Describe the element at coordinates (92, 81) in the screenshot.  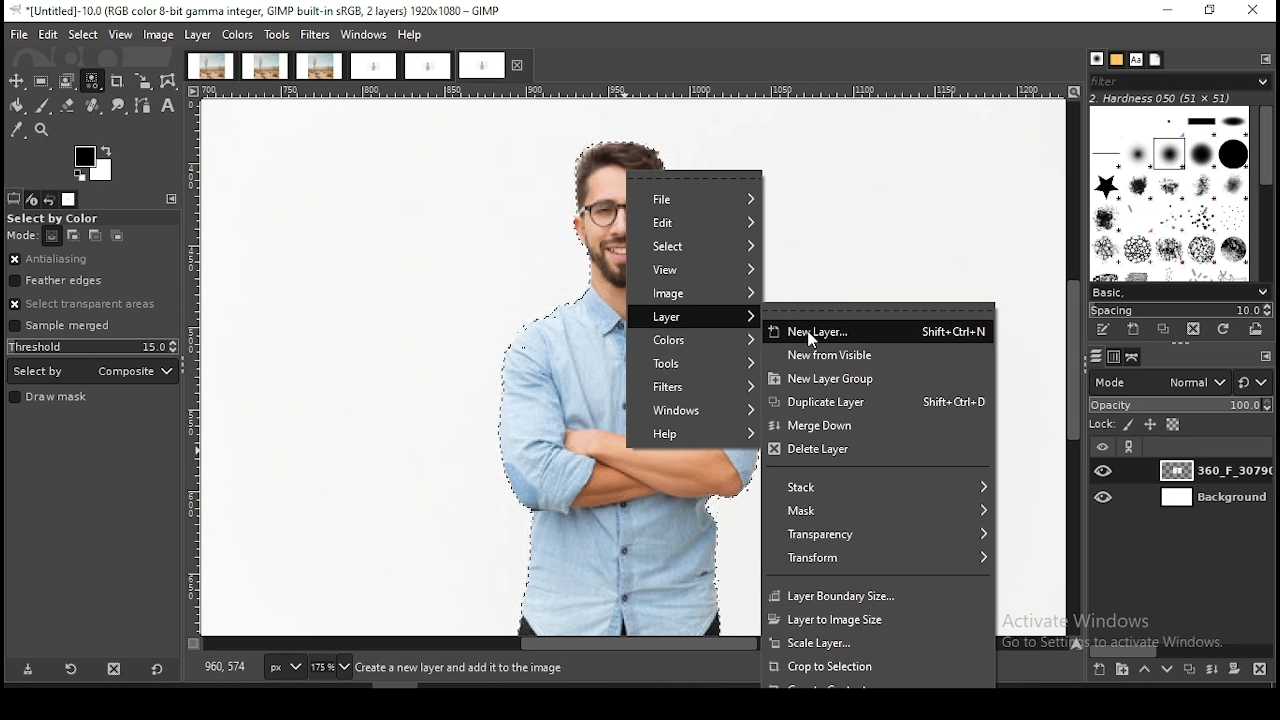
I see `select by similar color` at that location.